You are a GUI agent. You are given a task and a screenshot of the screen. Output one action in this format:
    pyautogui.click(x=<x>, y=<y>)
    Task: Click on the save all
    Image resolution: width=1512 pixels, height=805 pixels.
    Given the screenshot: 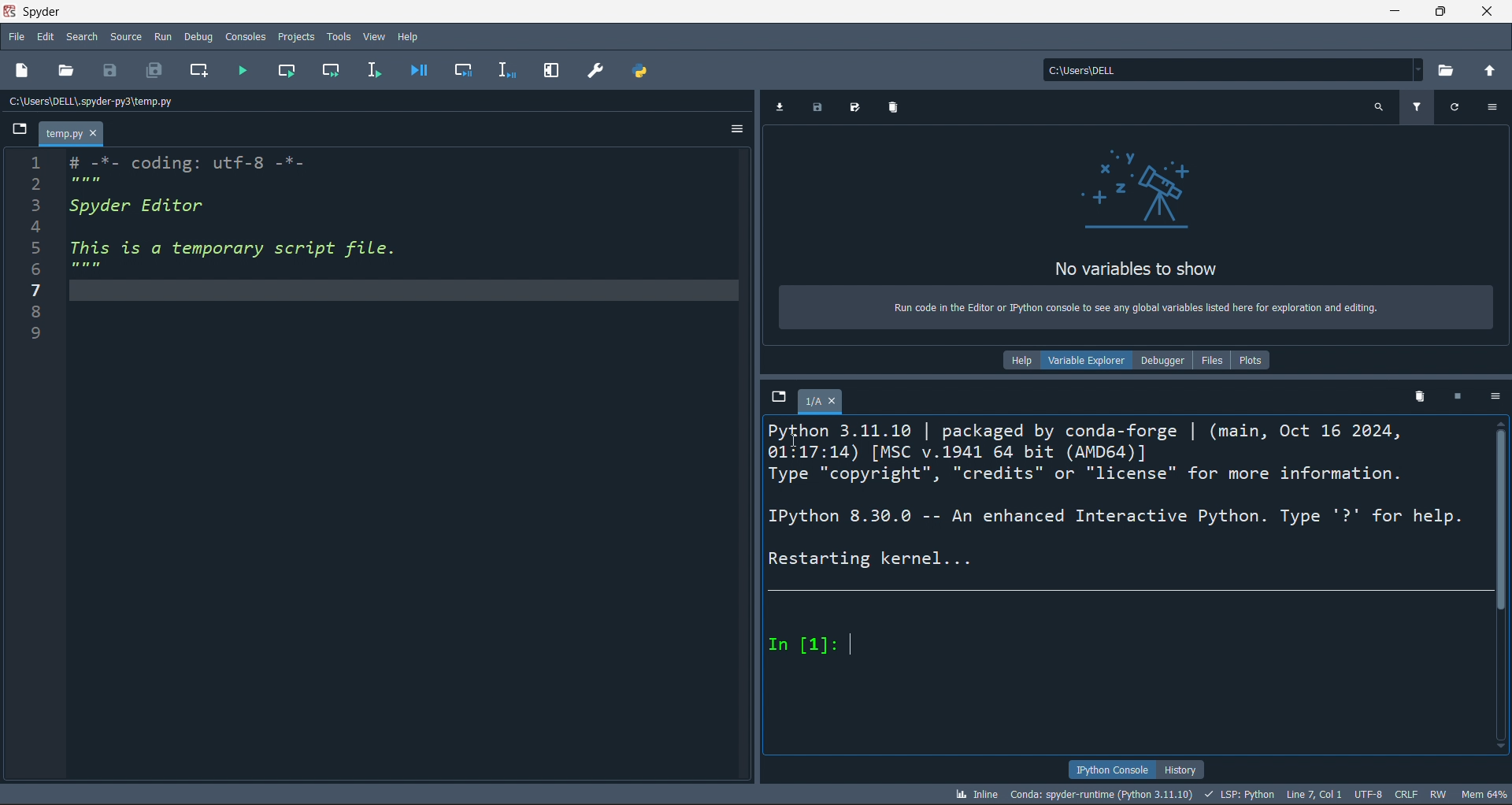 What is the action you would take?
    pyautogui.click(x=156, y=70)
    